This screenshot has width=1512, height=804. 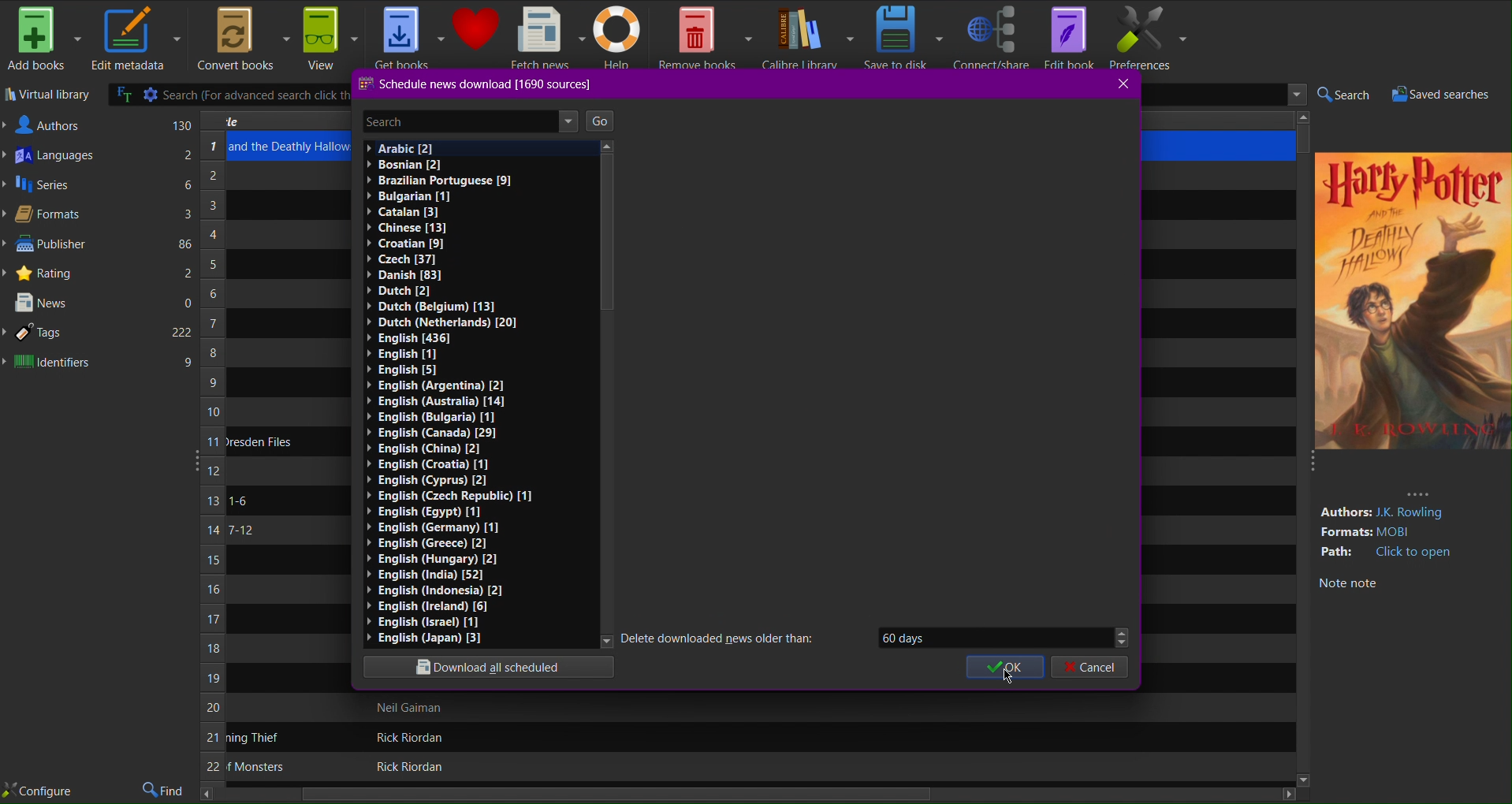 I want to click on Czech [37], so click(x=404, y=259).